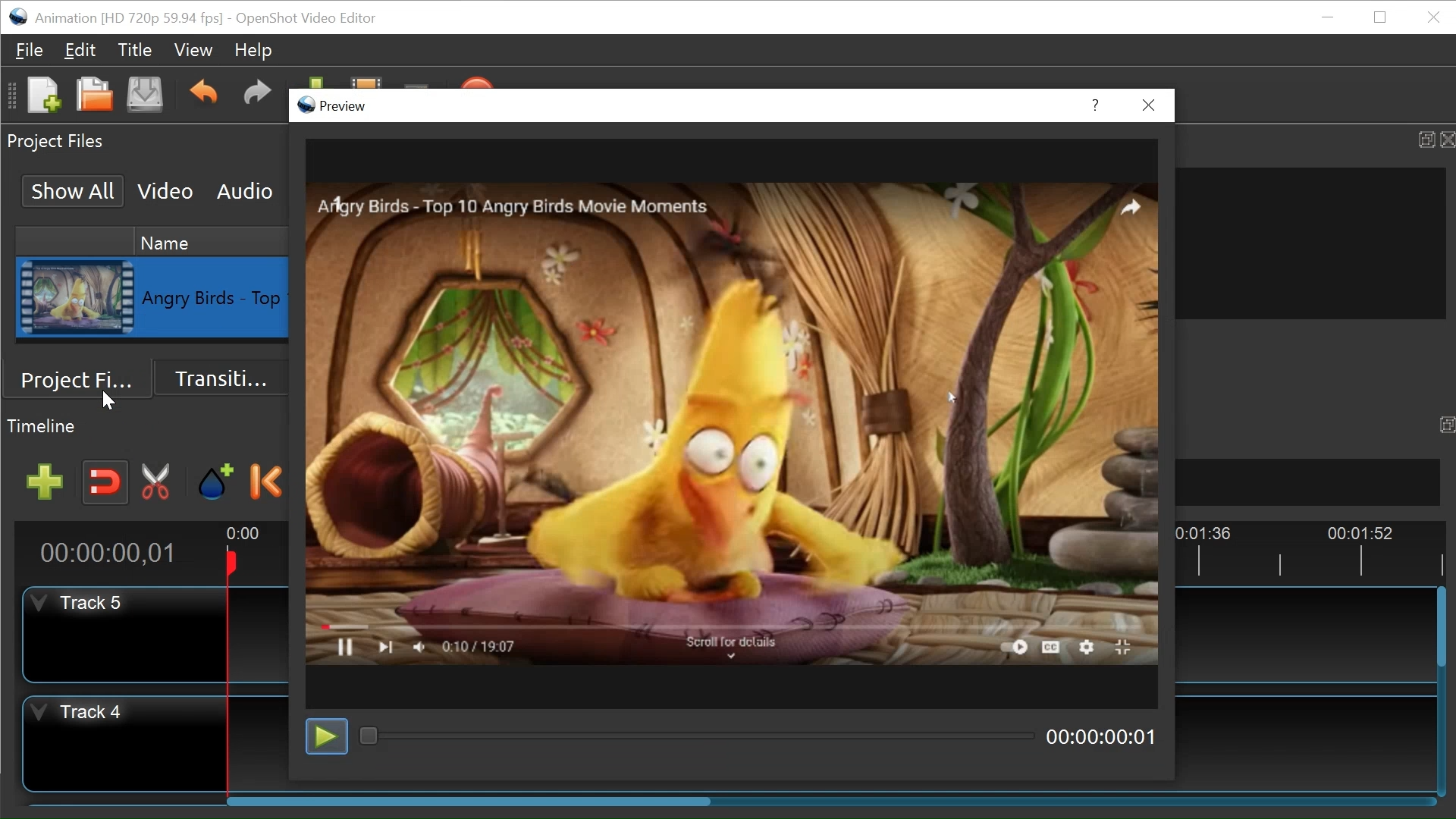 The image size is (1456, 819). I want to click on Close, so click(1150, 105).